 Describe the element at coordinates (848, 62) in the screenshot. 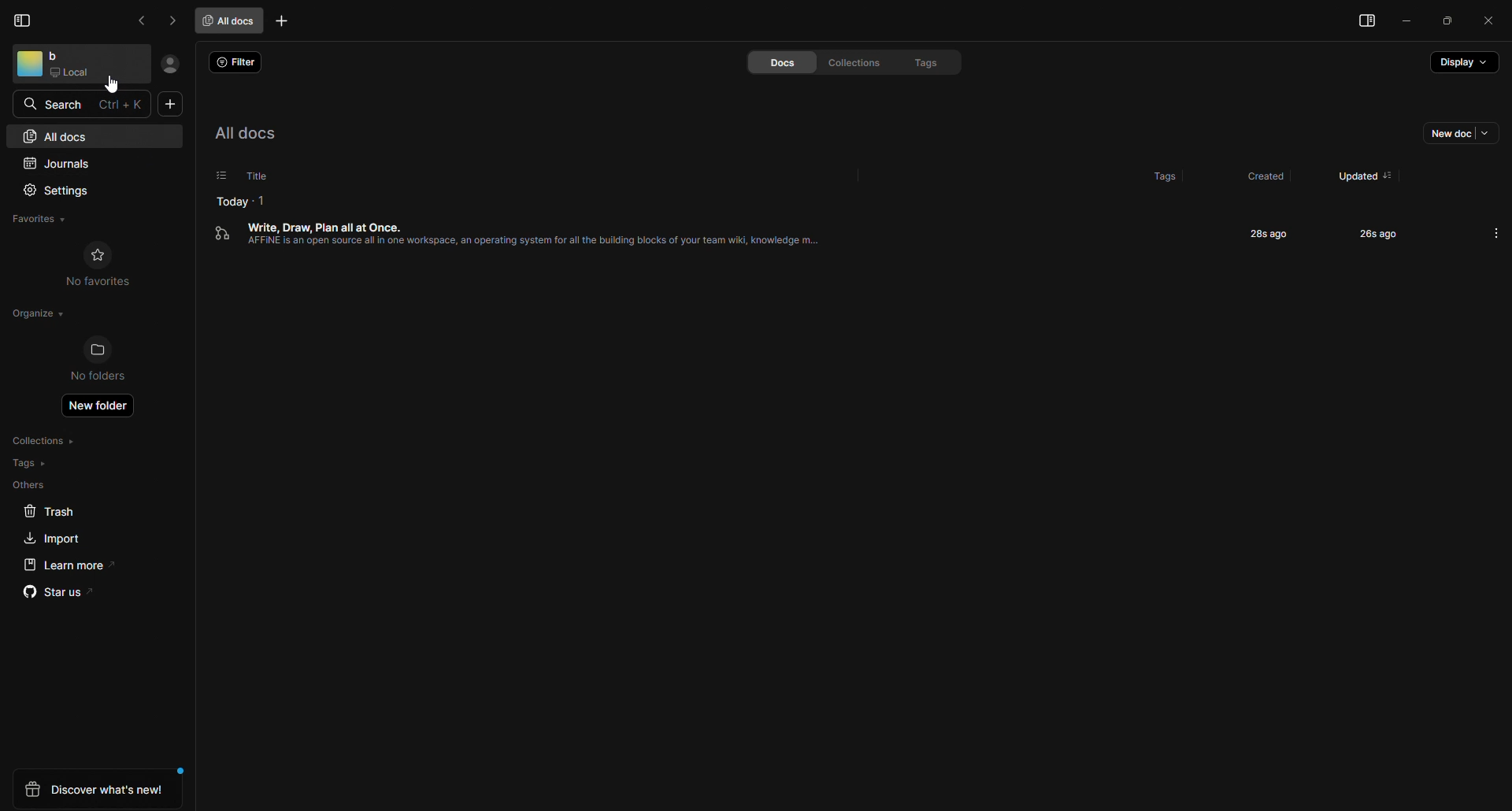

I see `collections` at that location.